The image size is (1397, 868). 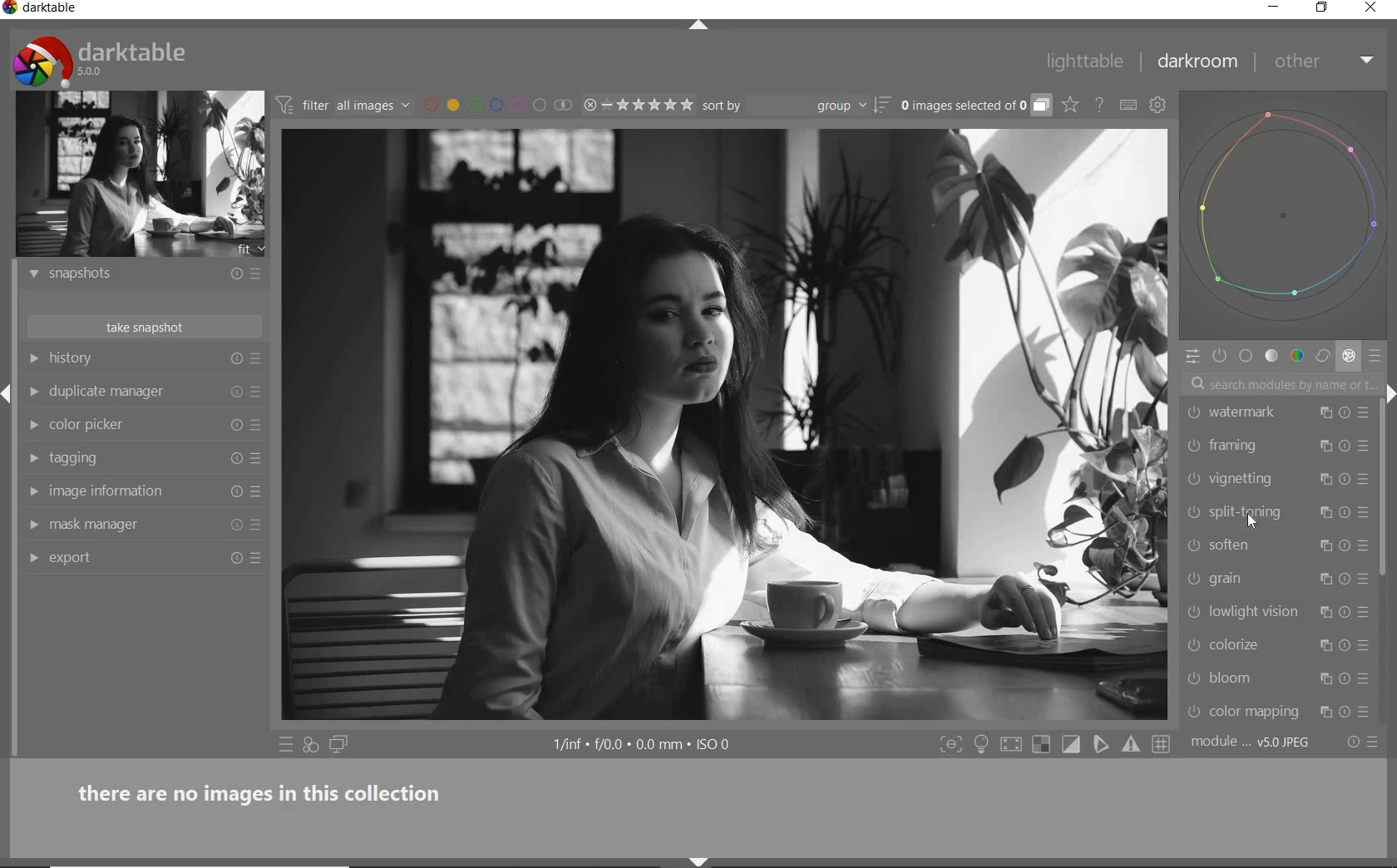 I want to click on multiple instance actions, so click(x=1325, y=579).